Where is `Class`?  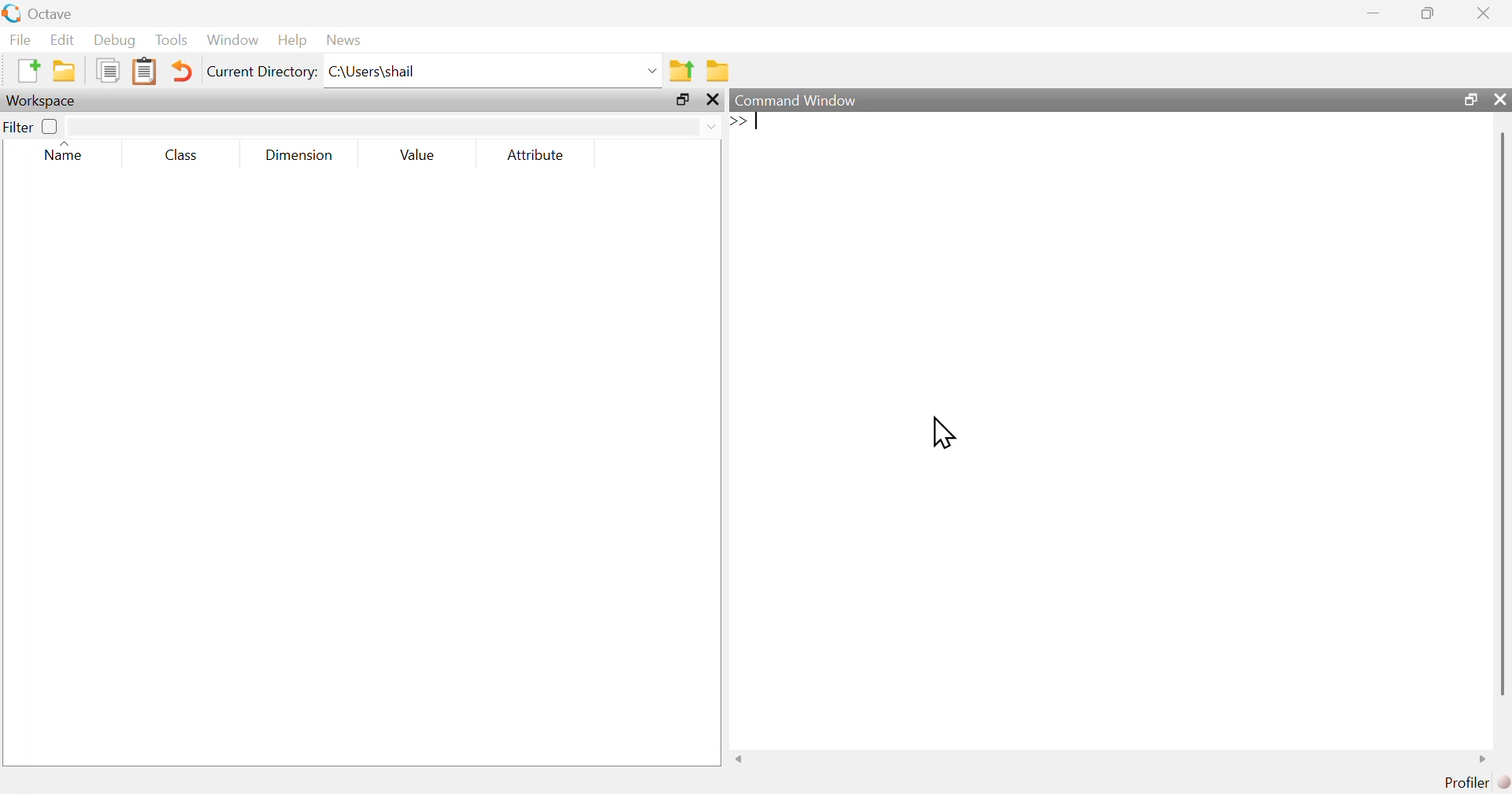
Class is located at coordinates (176, 154).